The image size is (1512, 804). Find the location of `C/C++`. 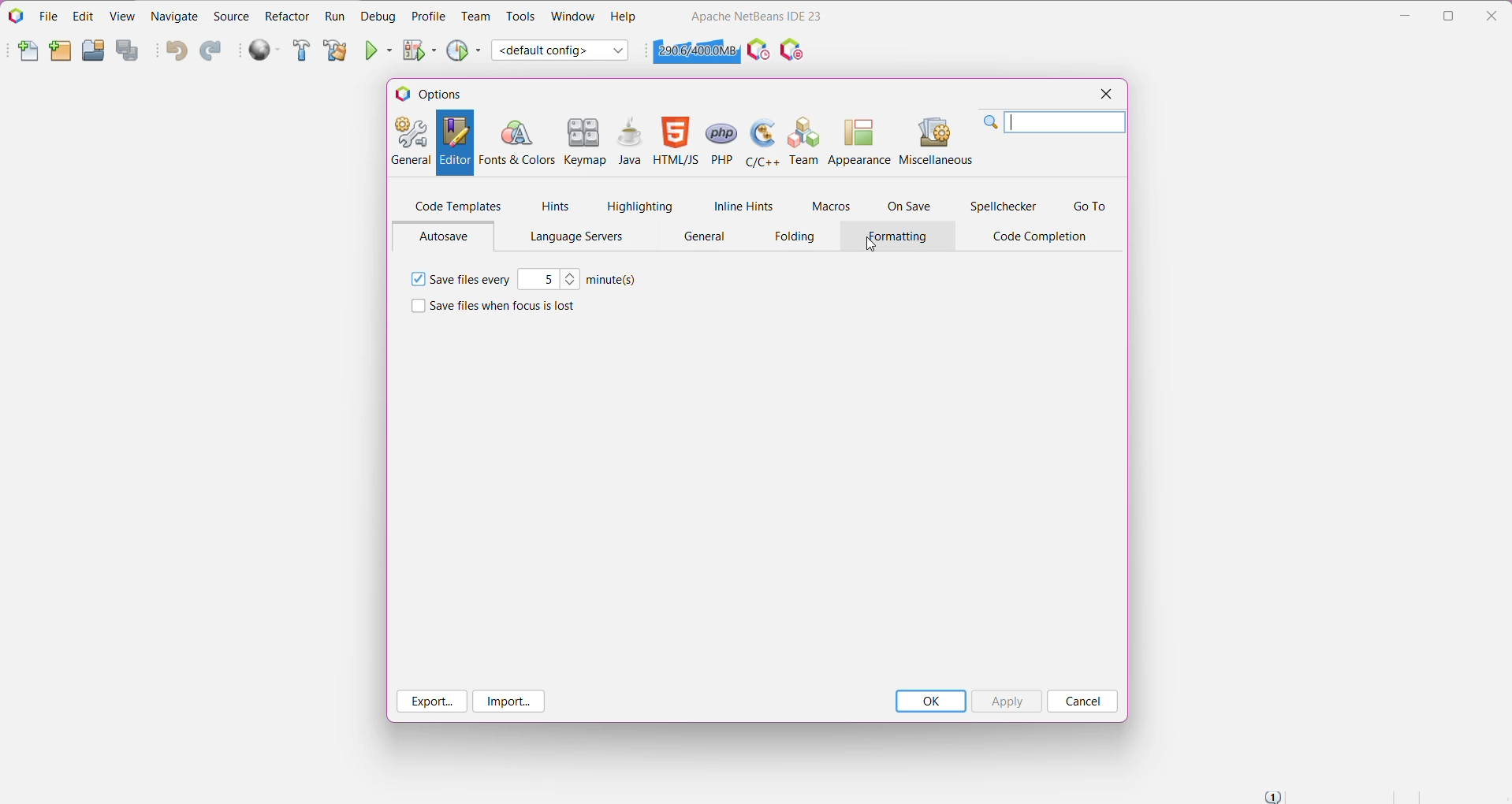

C/C++ is located at coordinates (761, 141).